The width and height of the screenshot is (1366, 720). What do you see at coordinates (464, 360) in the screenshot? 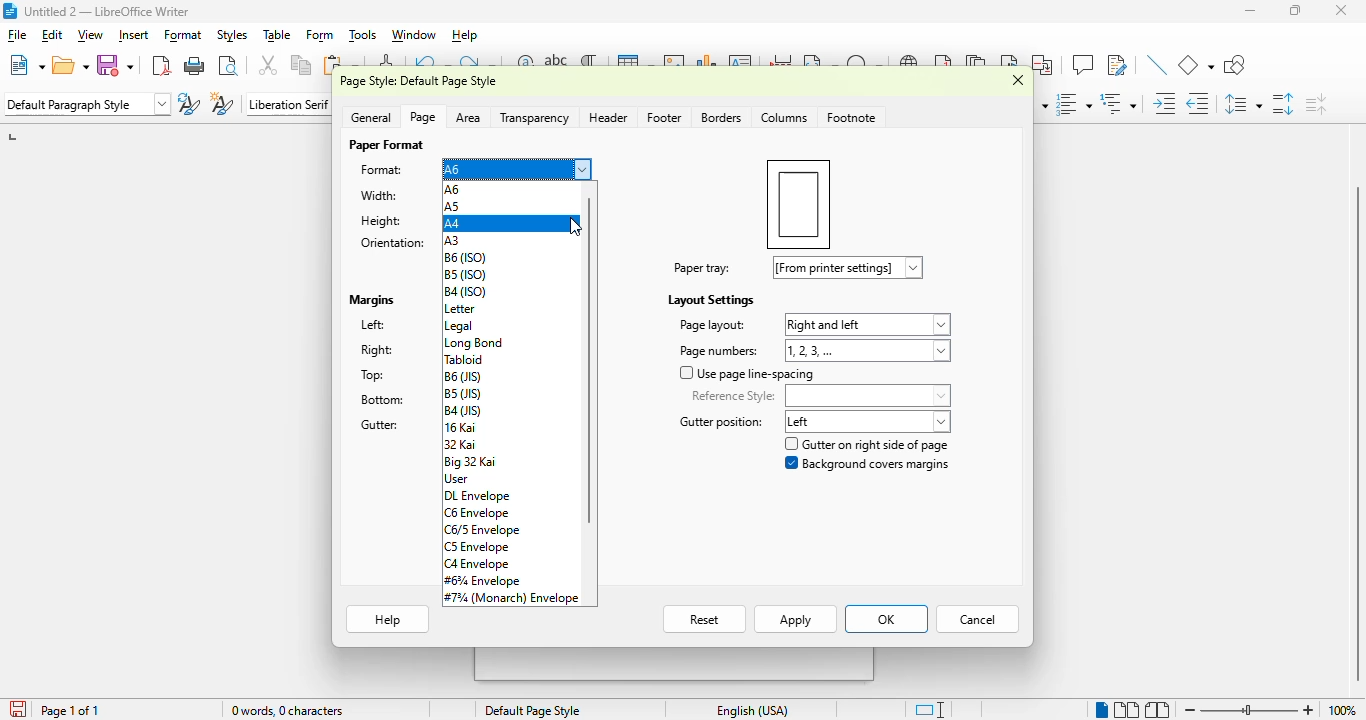
I see `tabloid` at bounding box center [464, 360].